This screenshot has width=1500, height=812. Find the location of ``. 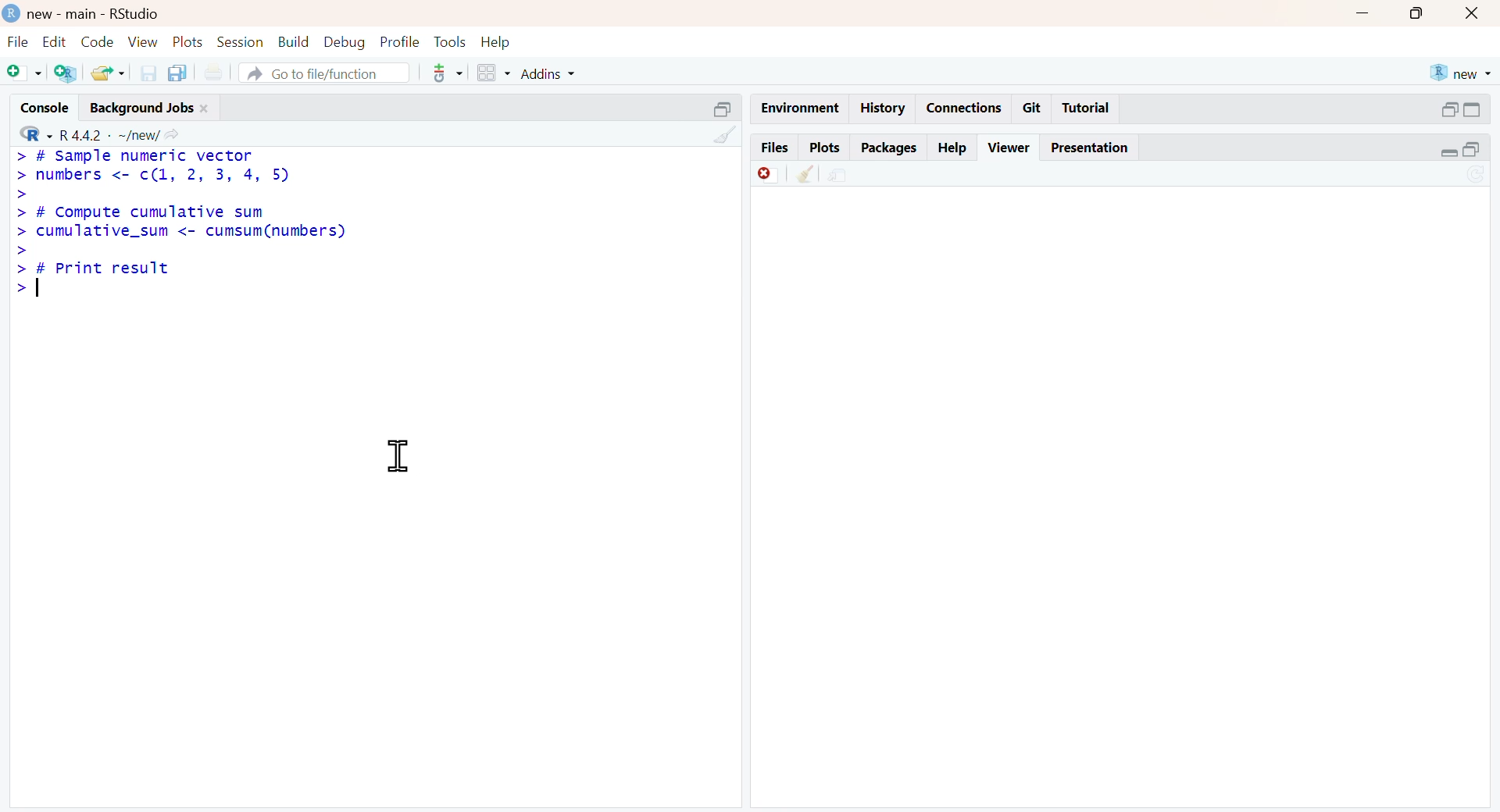

 is located at coordinates (1364, 12).